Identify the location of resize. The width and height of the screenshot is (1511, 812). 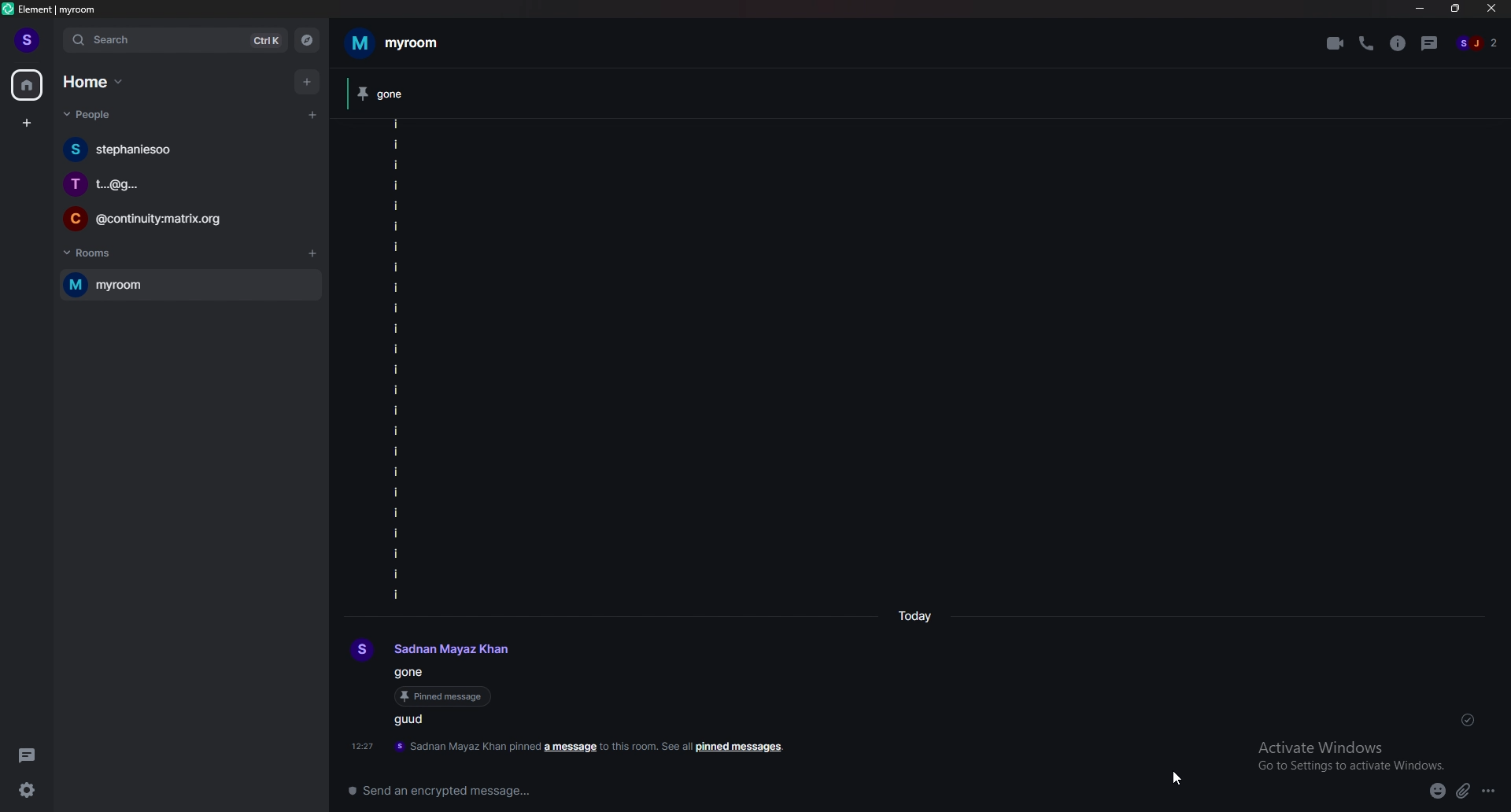
(1457, 9).